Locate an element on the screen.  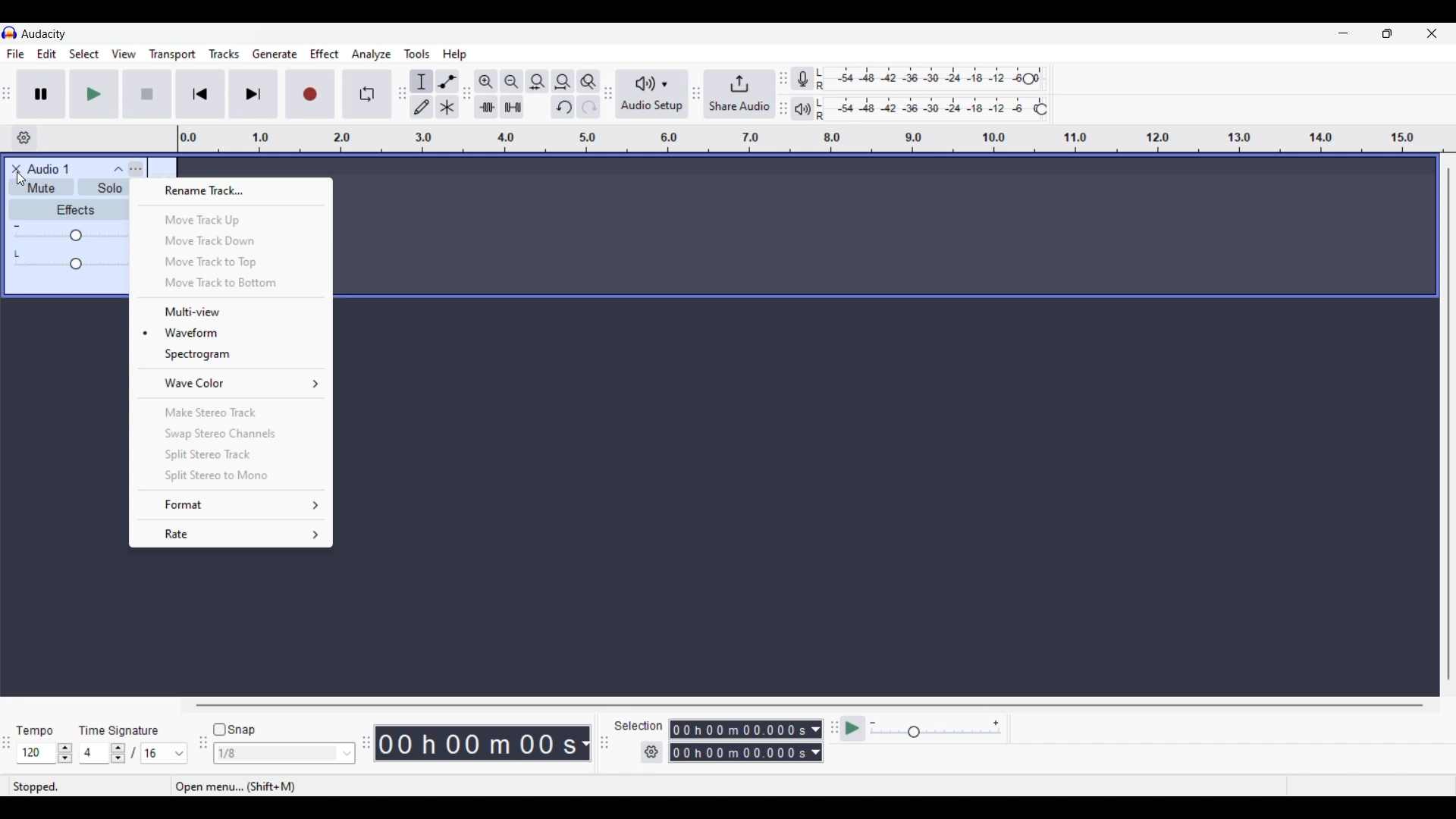
Swap stereo channels is located at coordinates (231, 435).